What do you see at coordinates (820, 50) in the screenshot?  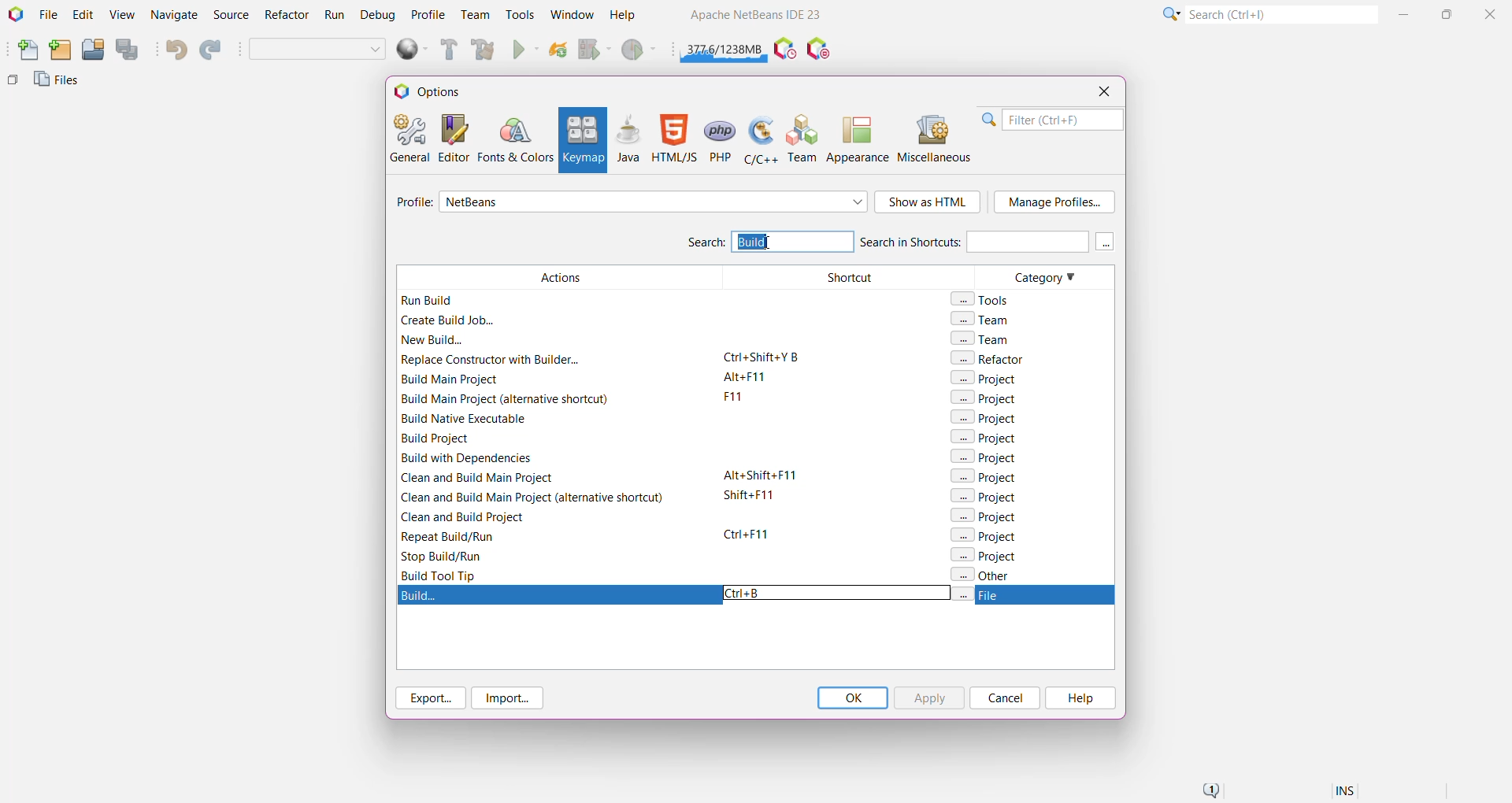 I see `Pause I/O Checks` at bounding box center [820, 50].